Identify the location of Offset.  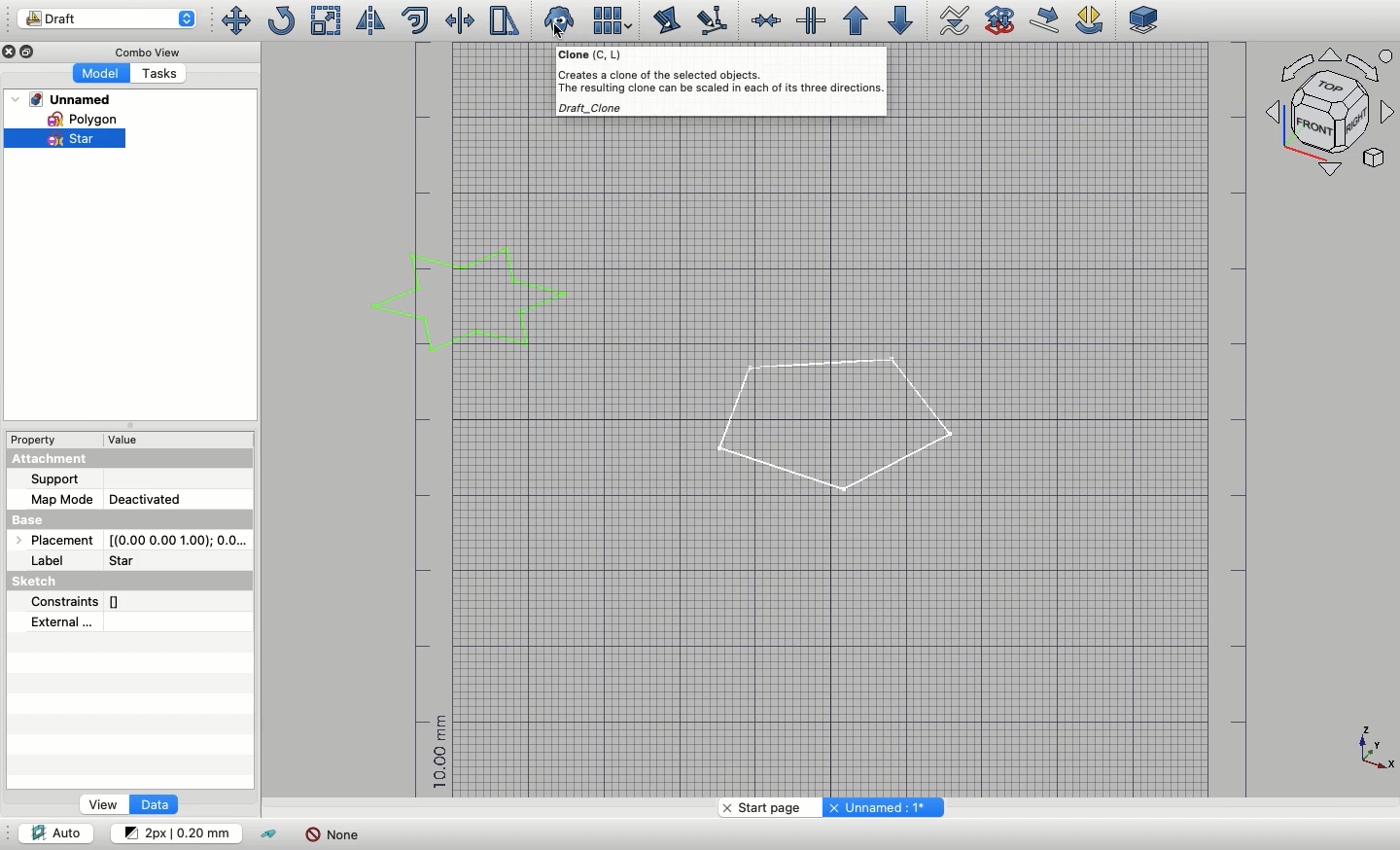
(415, 20).